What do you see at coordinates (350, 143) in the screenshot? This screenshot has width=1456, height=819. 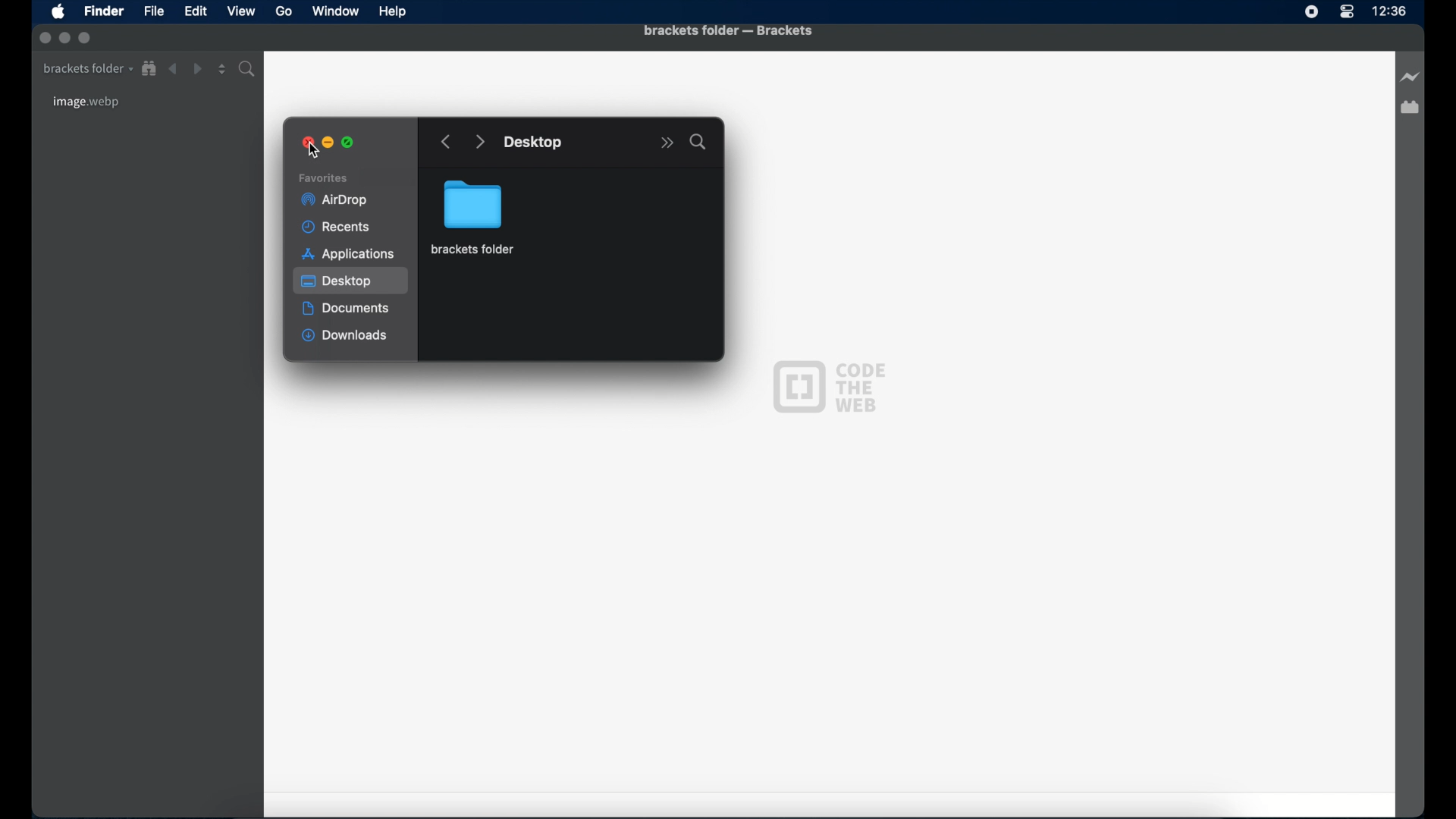 I see `maximize` at bounding box center [350, 143].